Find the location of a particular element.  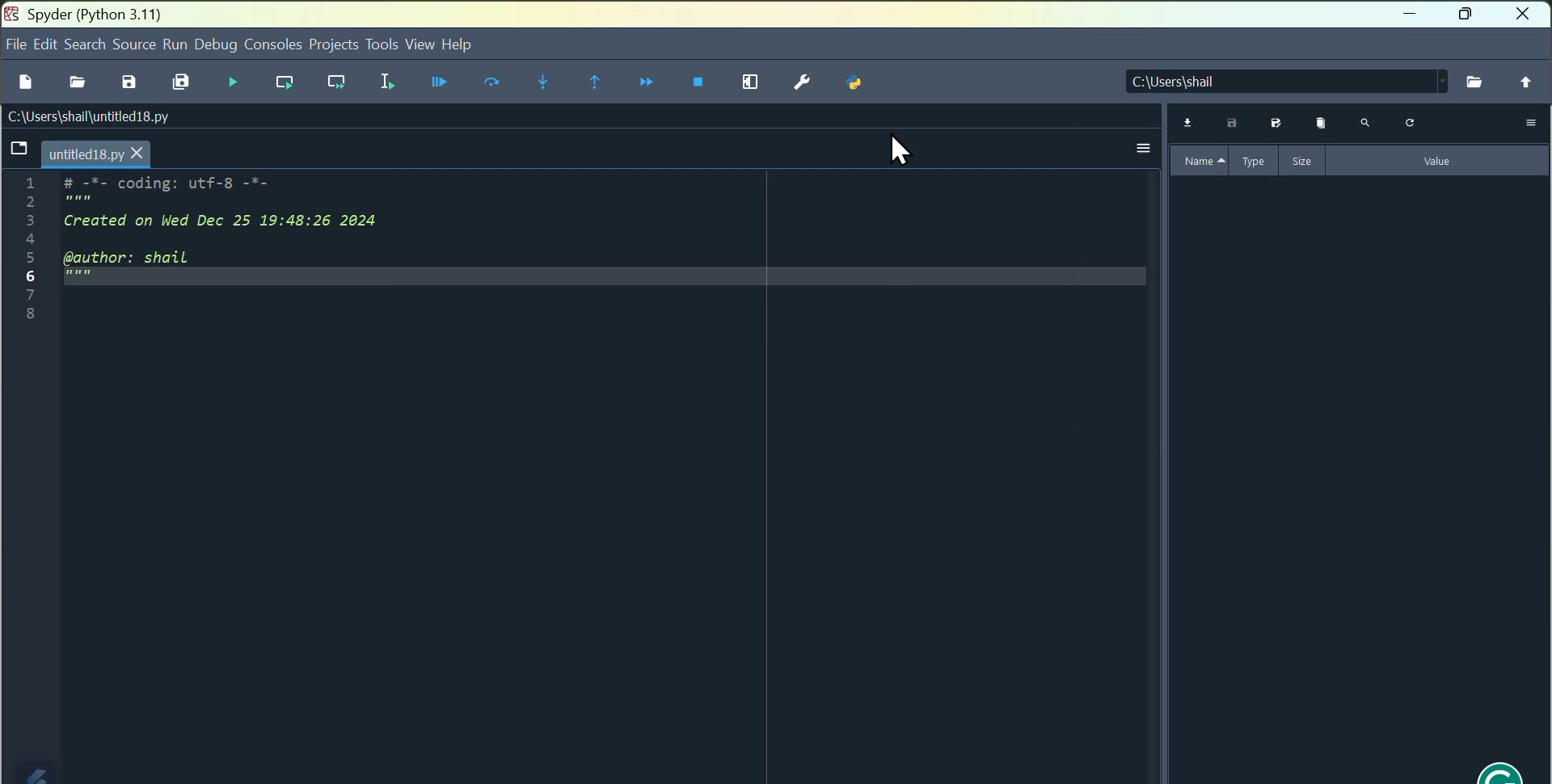

close is located at coordinates (1523, 15).